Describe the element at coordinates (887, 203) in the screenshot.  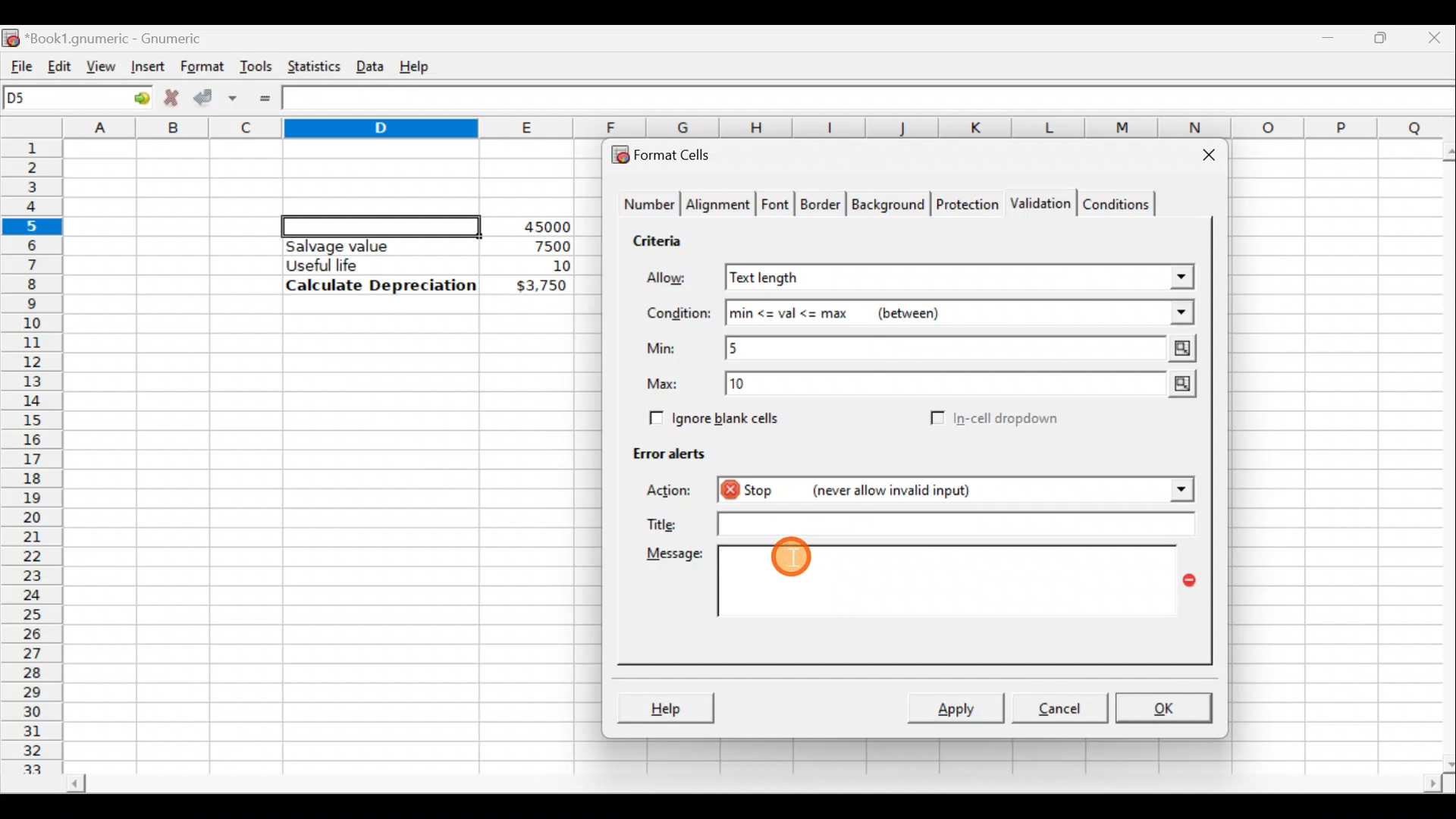
I see `Background` at that location.